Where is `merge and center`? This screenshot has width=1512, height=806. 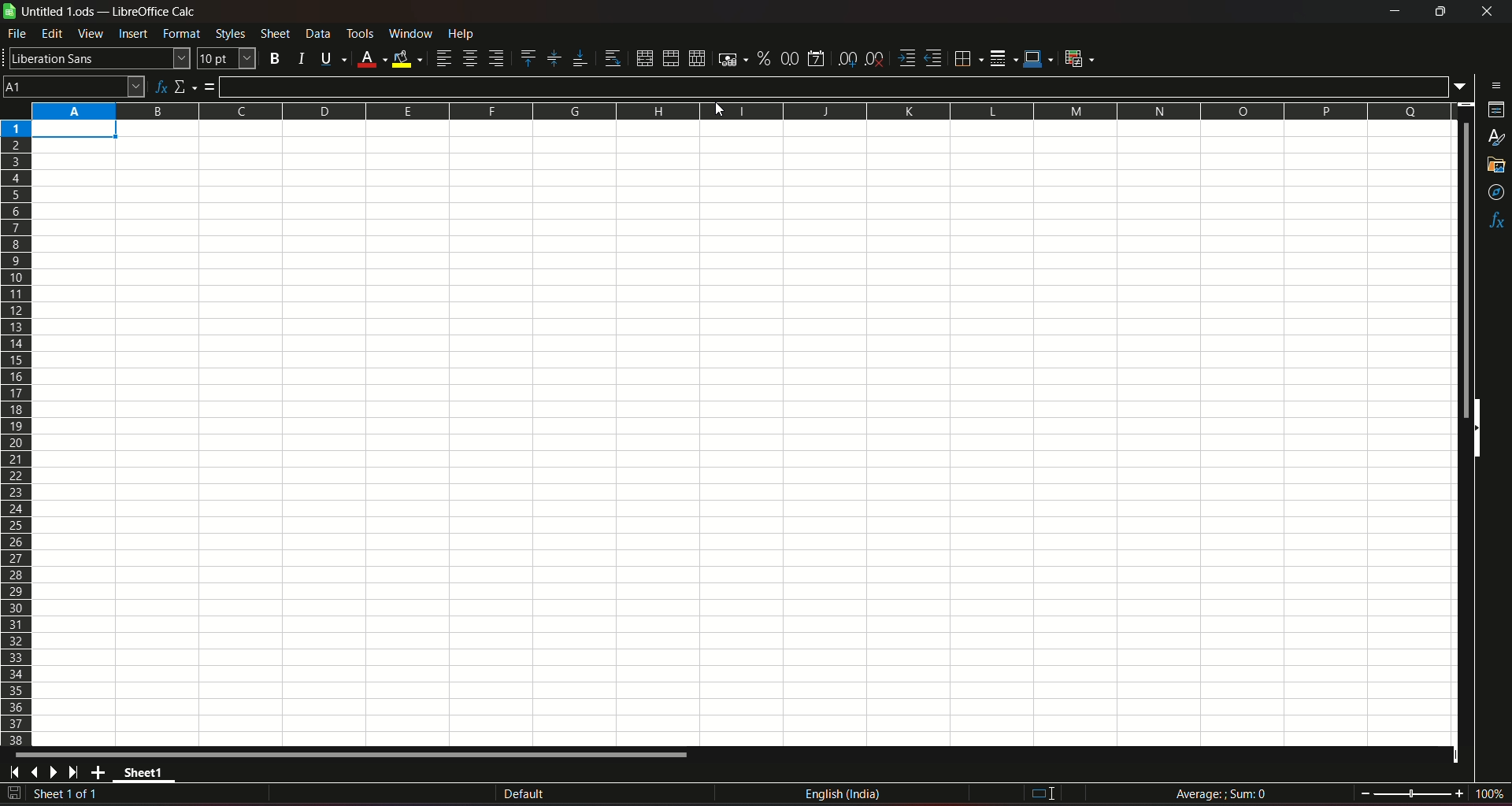
merge and center is located at coordinates (643, 57).